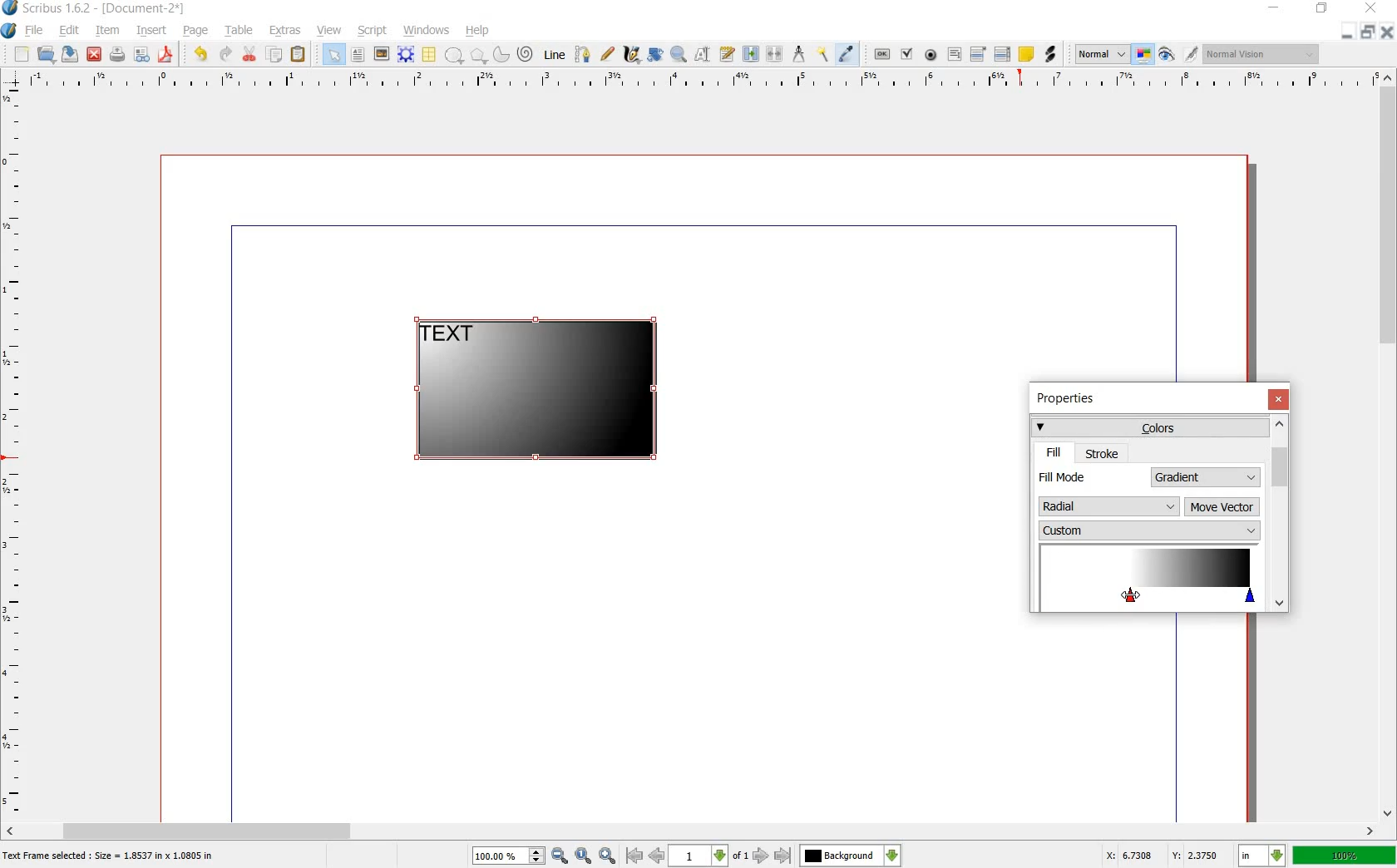  What do you see at coordinates (478, 31) in the screenshot?
I see `help` at bounding box center [478, 31].